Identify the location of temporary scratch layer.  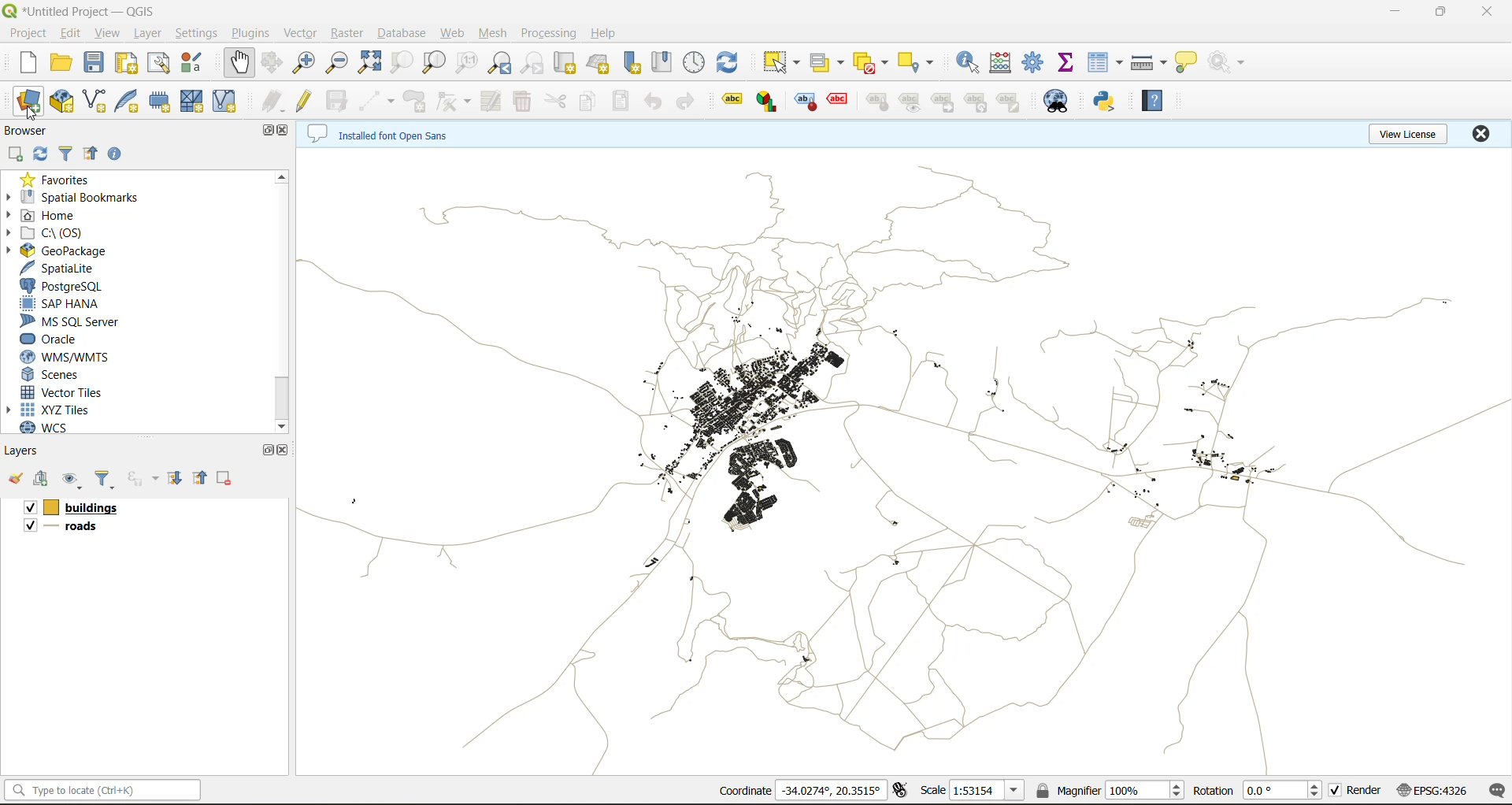
(164, 102).